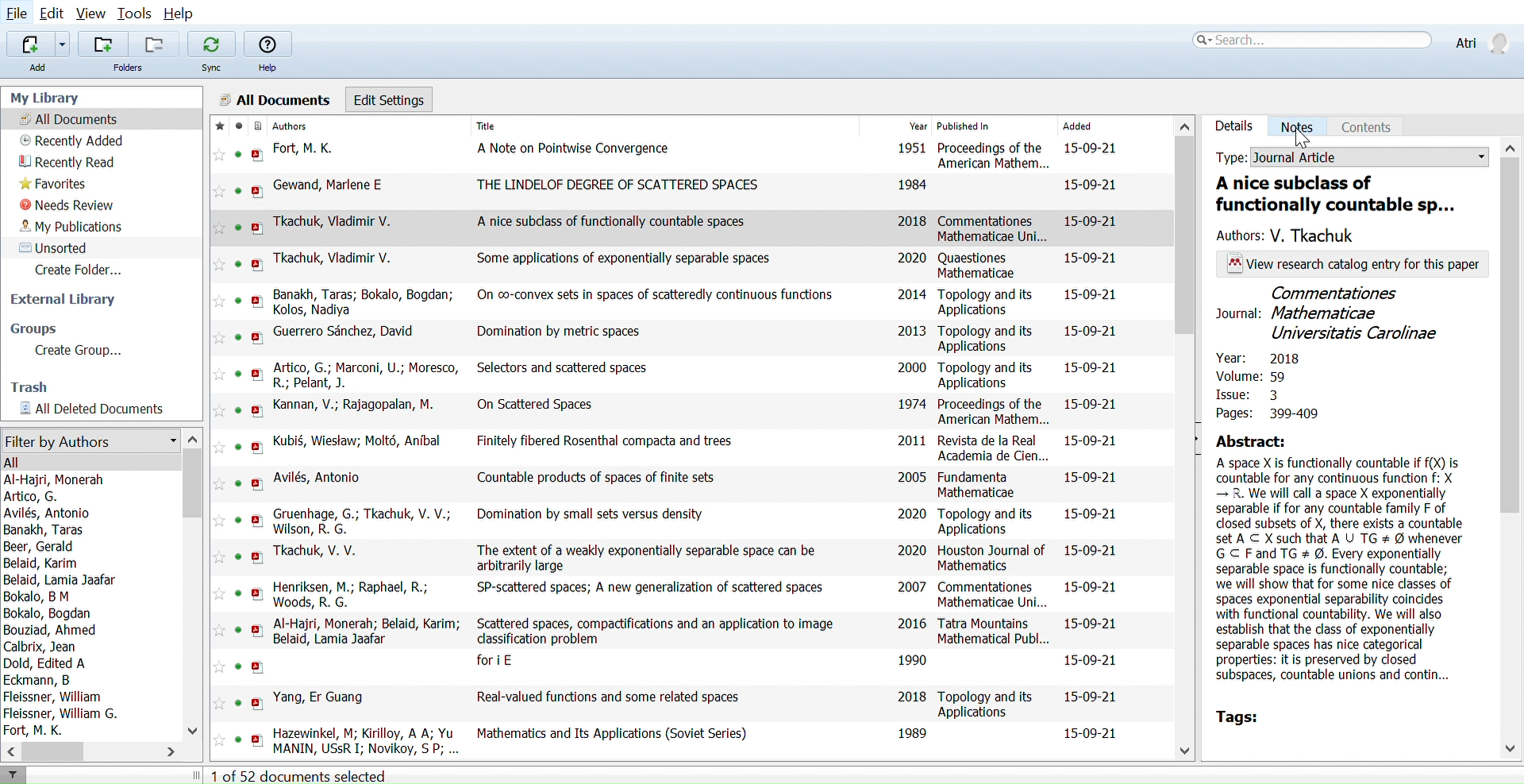 This screenshot has width=1524, height=784. Describe the element at coordinates (912, 440) in the screenshot. I see `2011` at that location.